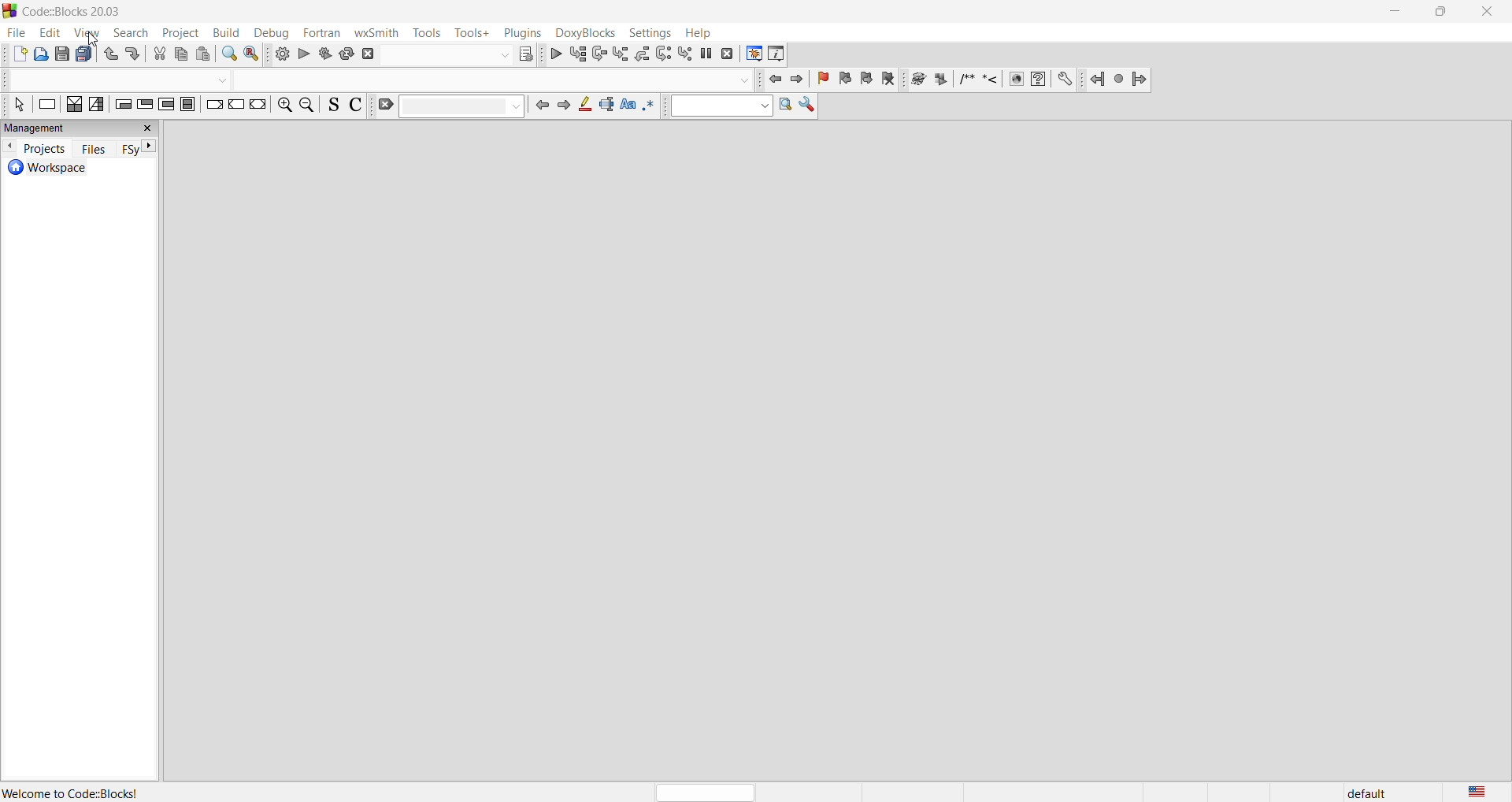  I want to click on close, so click(1490, 12).